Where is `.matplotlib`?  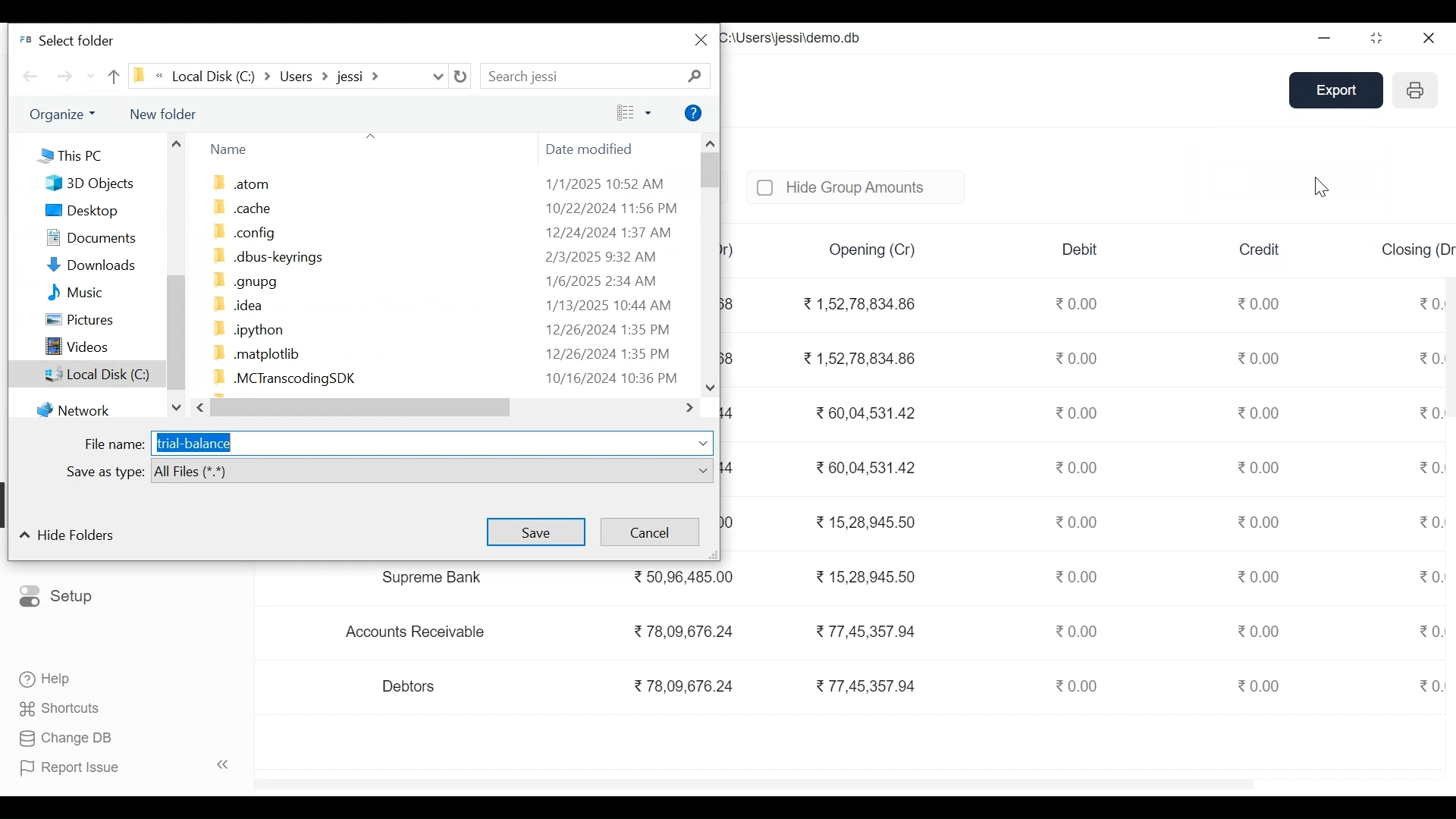 .matplotlib is located at coordinates (256, 353).